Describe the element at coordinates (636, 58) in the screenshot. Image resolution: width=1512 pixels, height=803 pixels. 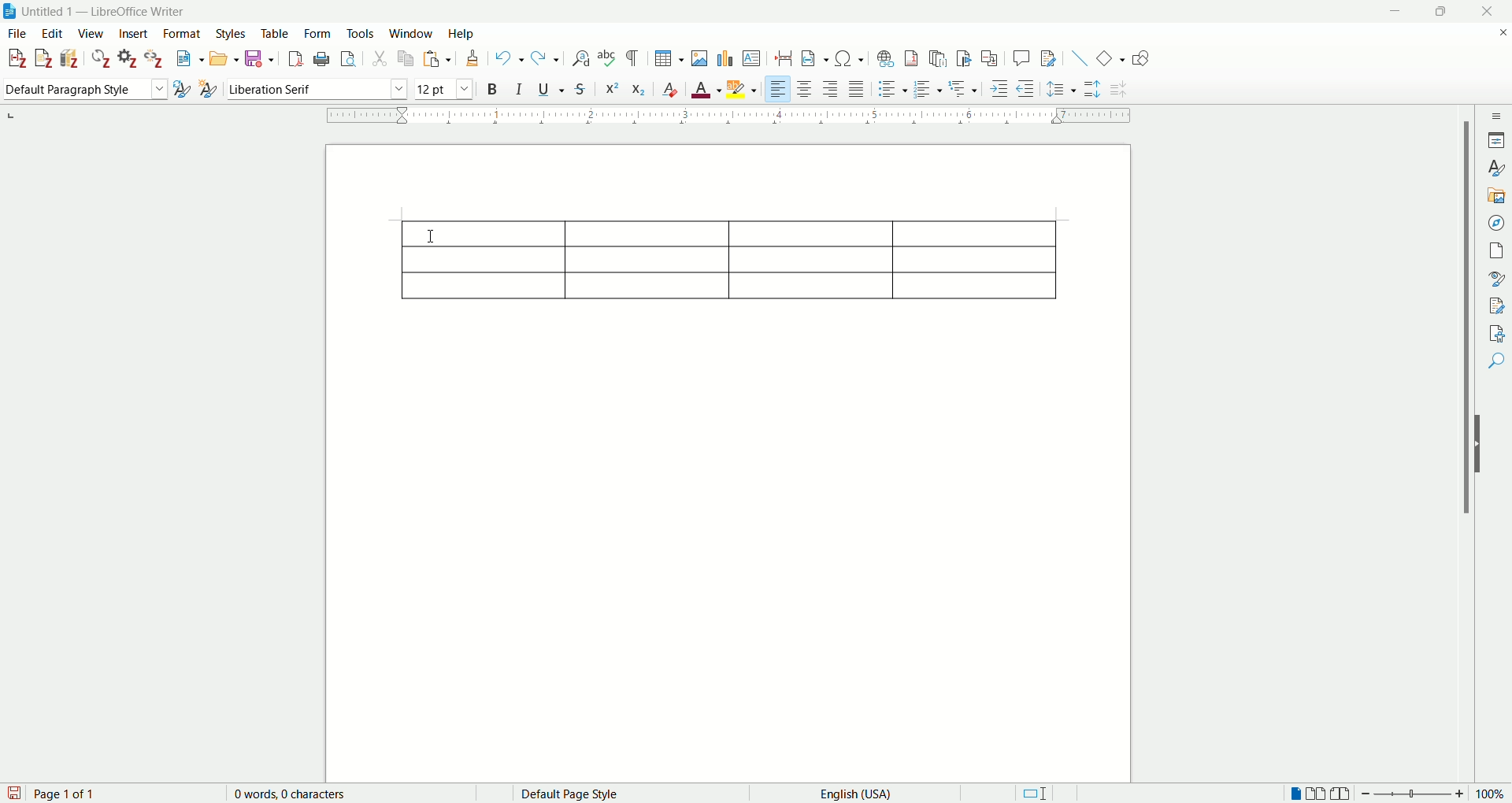
I see `formatting marks` at that location.